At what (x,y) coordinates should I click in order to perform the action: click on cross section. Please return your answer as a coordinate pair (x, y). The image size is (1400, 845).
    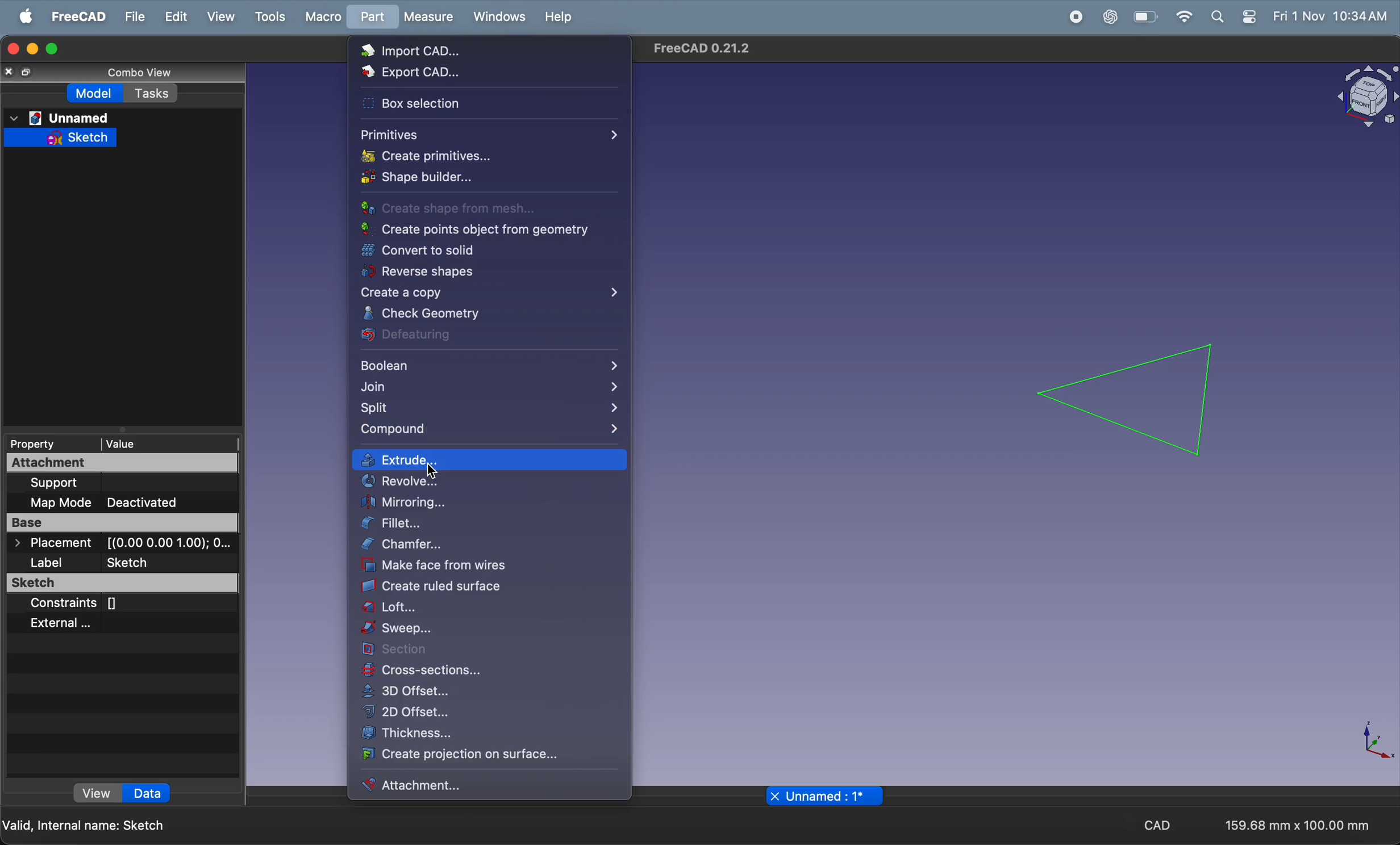
    Looking at the image, I should click on (485, 670).